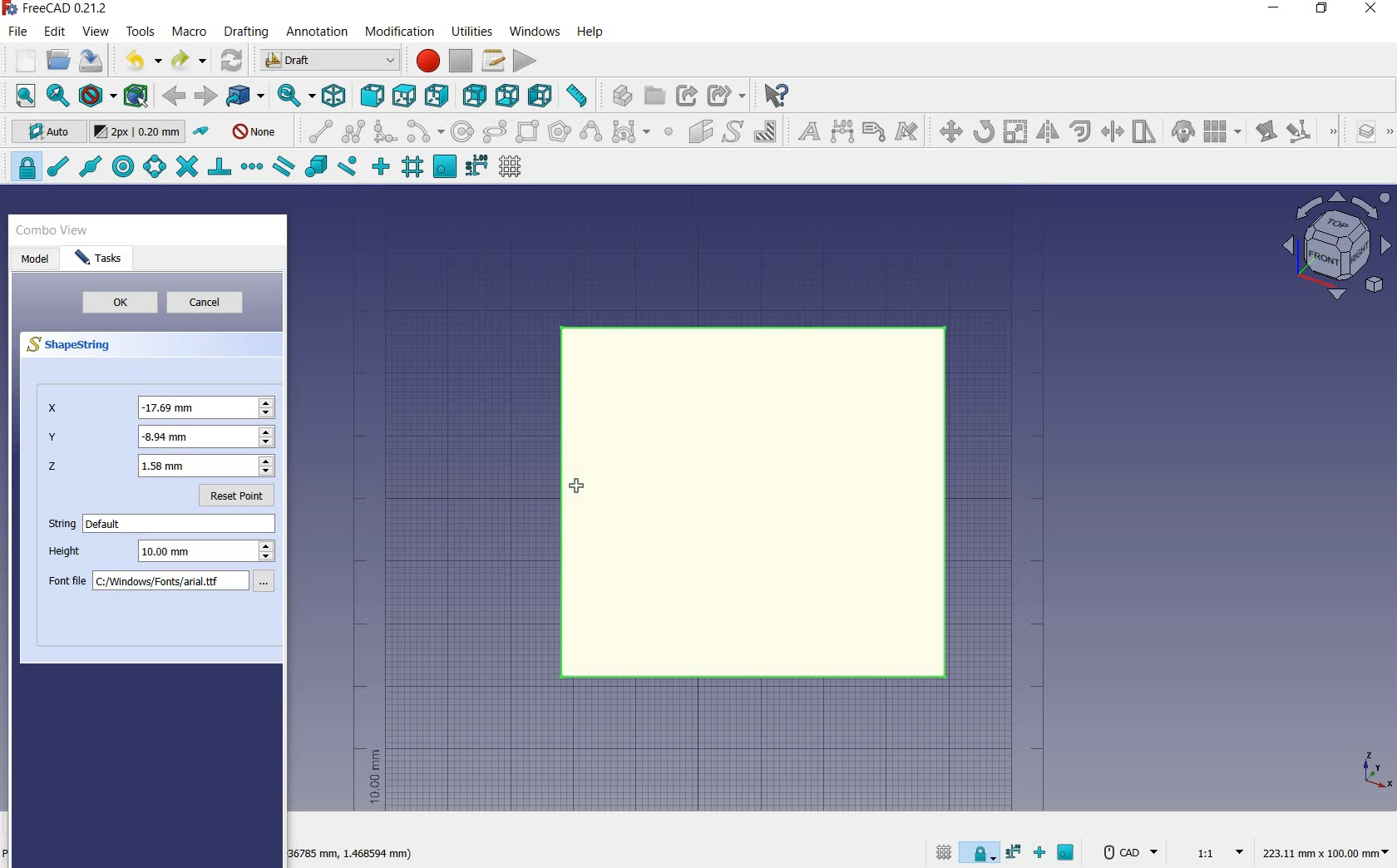 This screenshot has width=1397, height=868. I want to click on sync view, so click(292, 96).